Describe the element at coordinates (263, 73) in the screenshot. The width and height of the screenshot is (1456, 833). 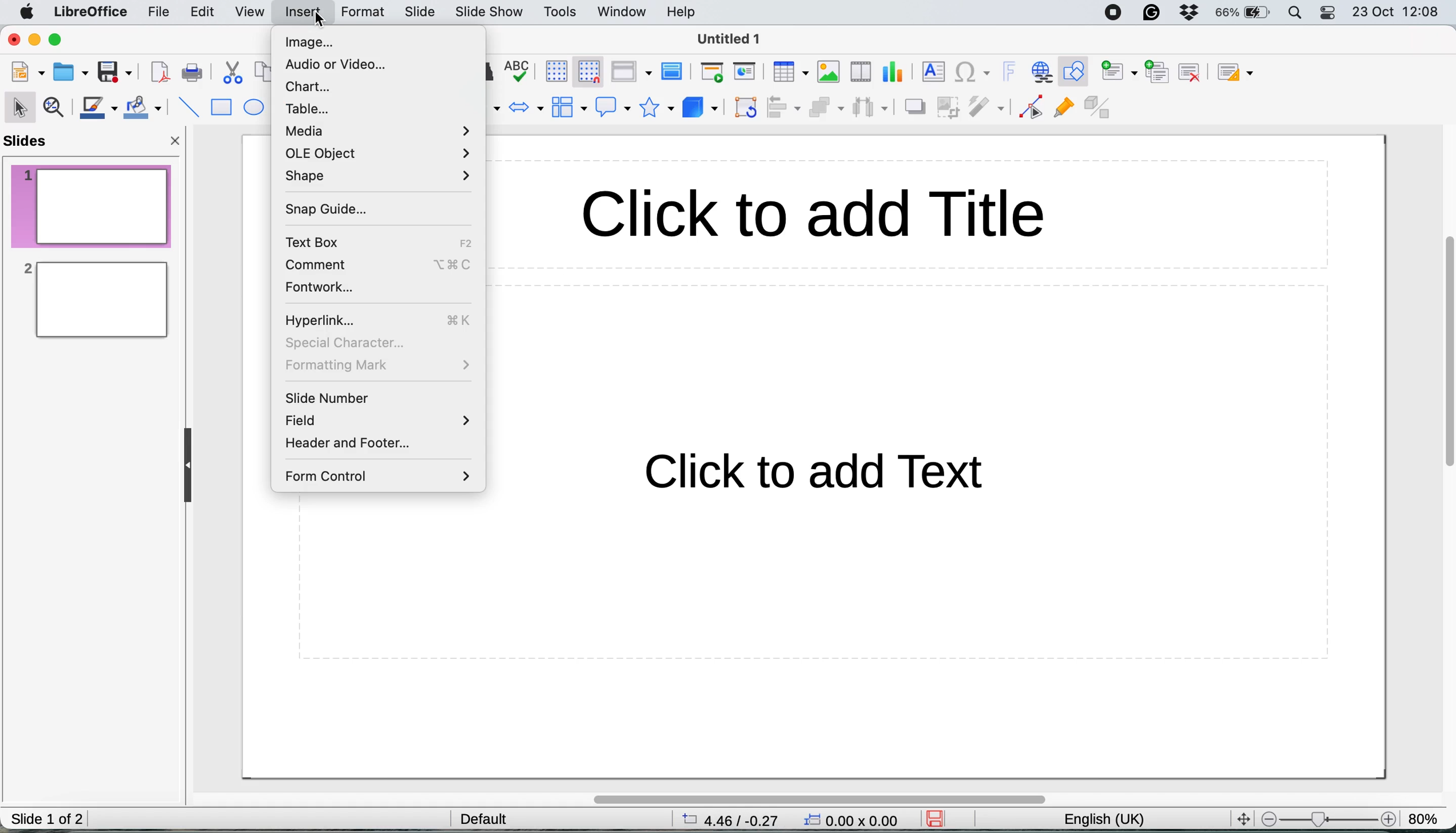
I see `copy` at that location.